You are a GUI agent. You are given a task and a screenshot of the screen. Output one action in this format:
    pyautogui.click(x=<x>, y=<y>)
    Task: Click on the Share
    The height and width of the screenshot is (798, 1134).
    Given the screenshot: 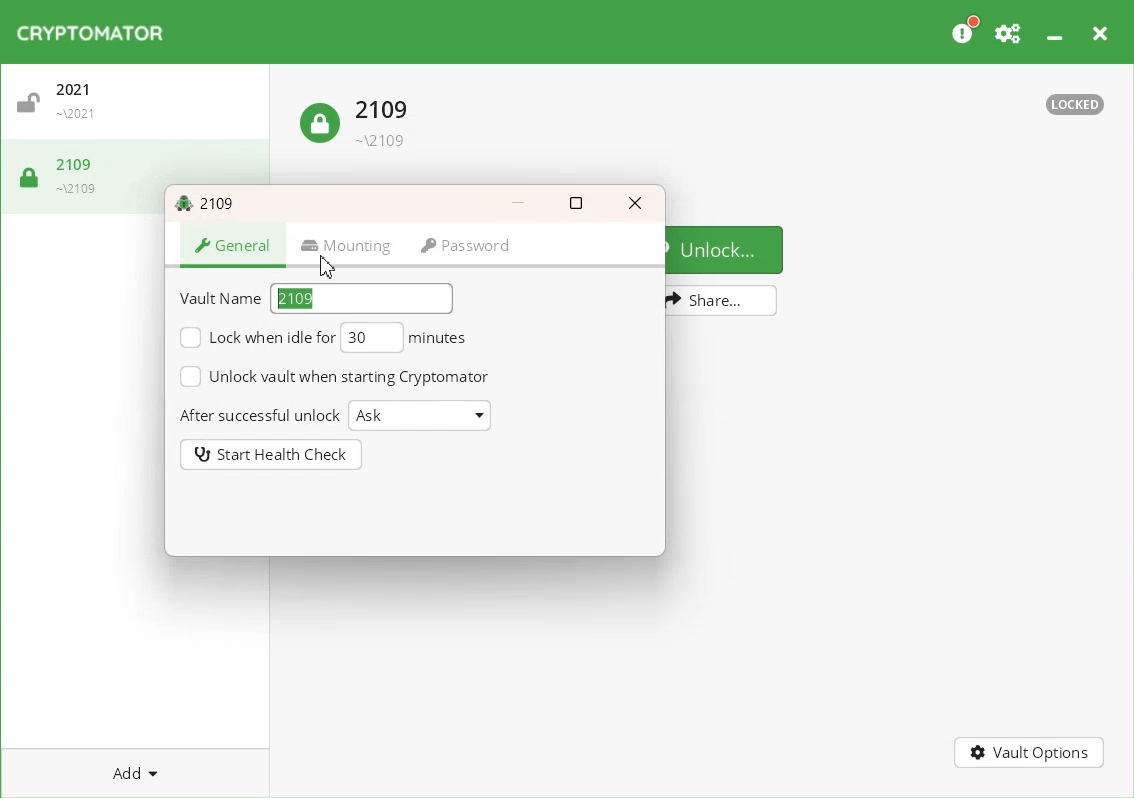 What is the action you would take?
    pyautogui.click(x=722, y=301)
    